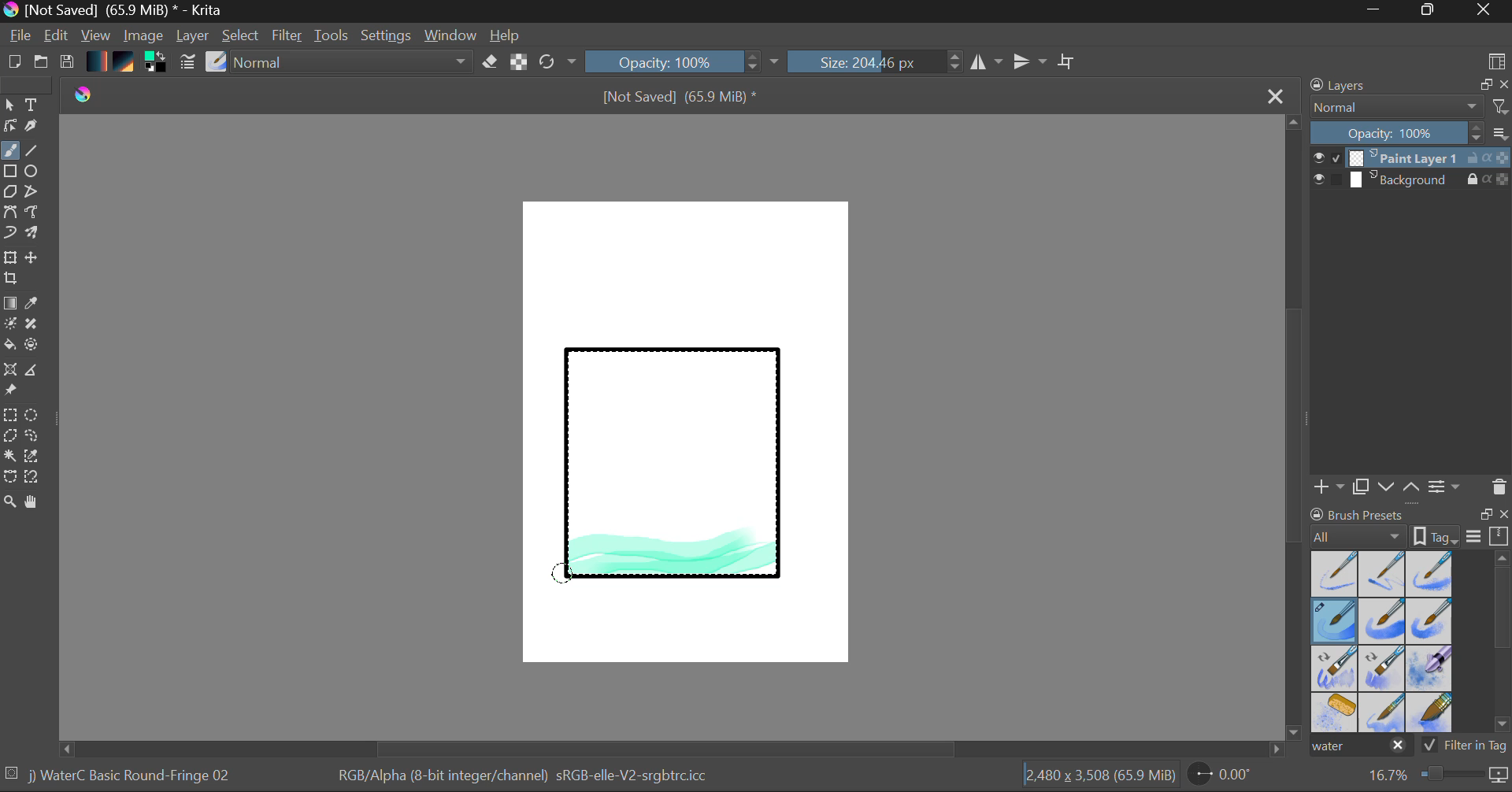  What do you see at coordinates (10, 503) in the screenshot?
I see `Zoom` at bounding box center [10, 503].